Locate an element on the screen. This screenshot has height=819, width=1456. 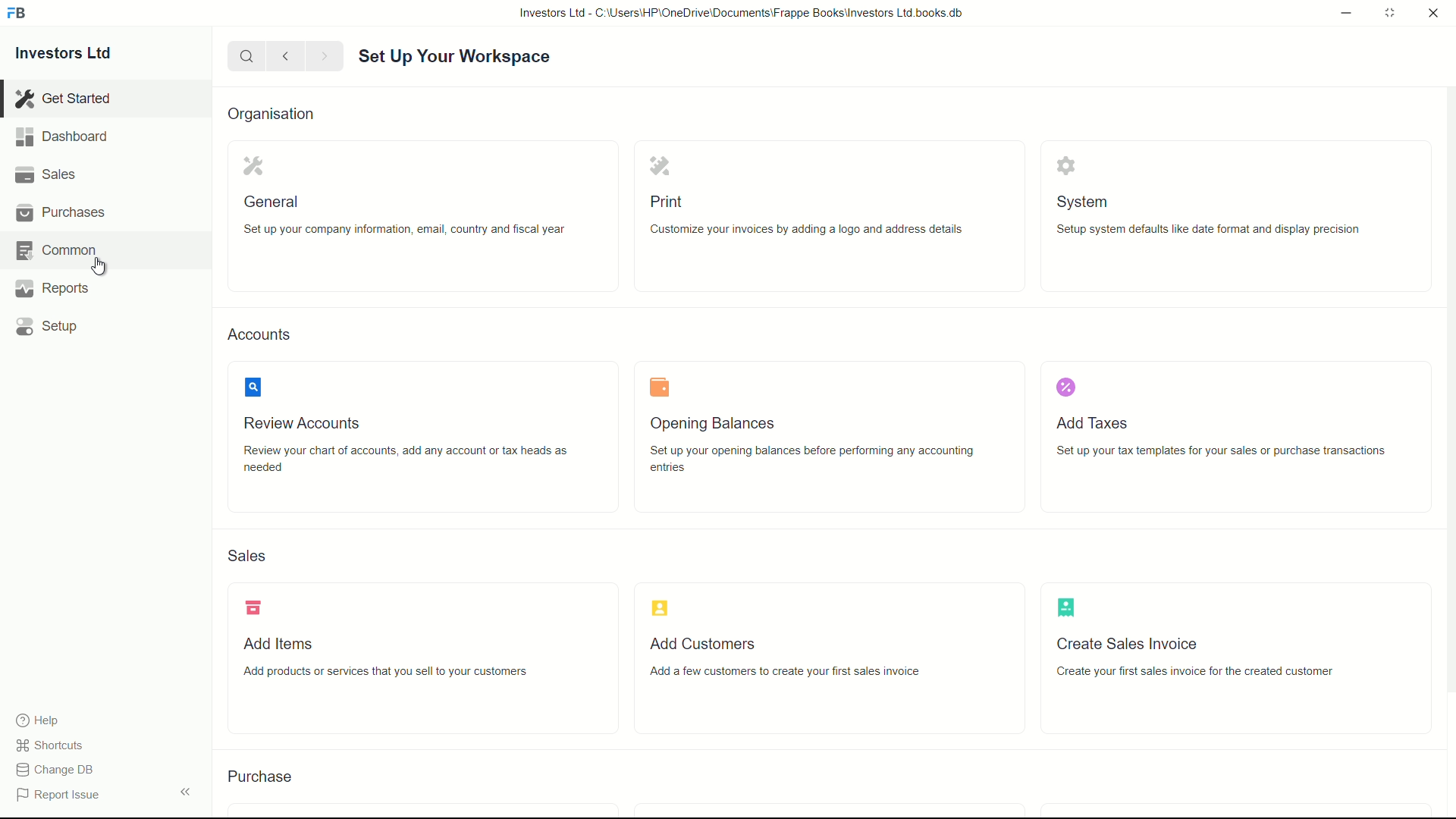
Set up your tax templates for your sales or purchase transactions is located at coordinates (1226, 451).